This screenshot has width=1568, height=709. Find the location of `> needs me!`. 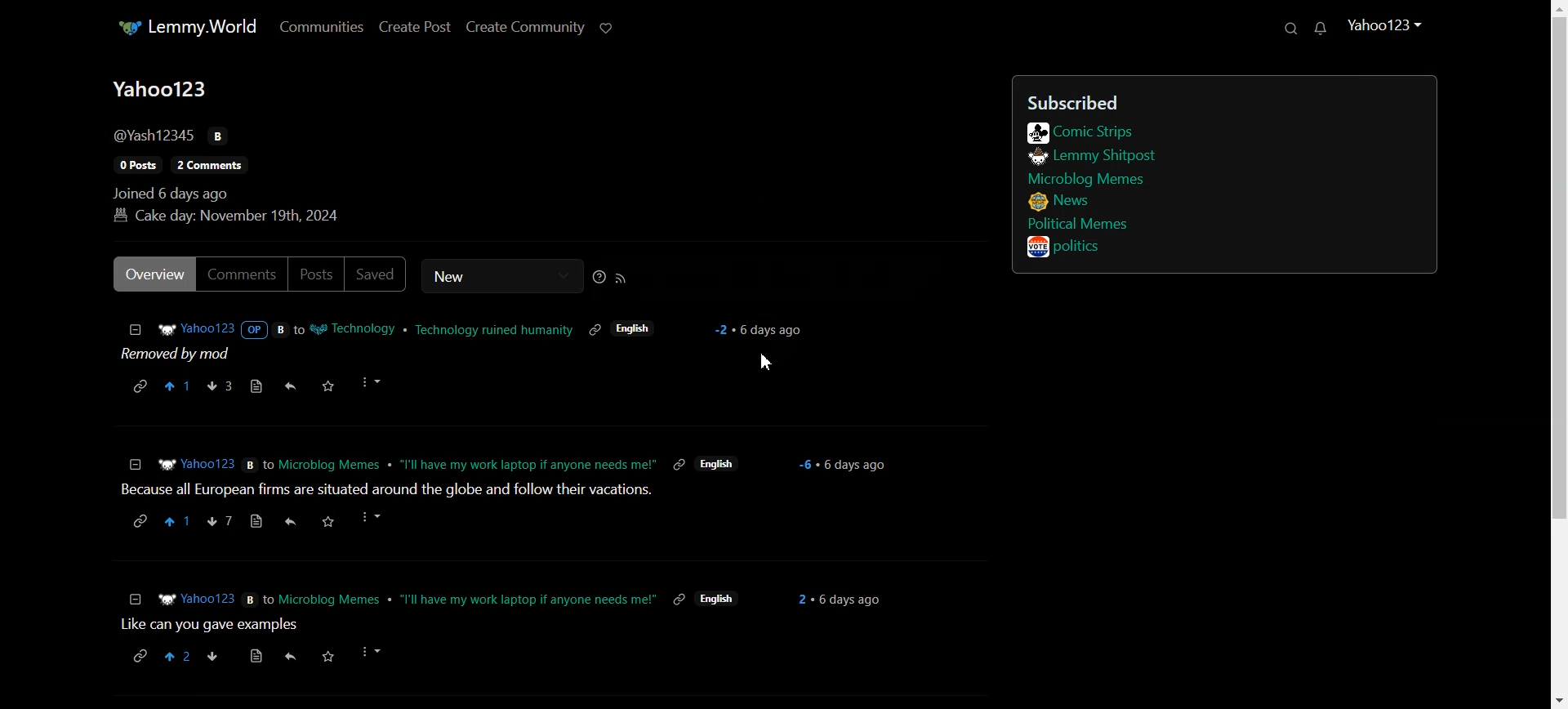

> needs me! is located at coordinates (718, 462).